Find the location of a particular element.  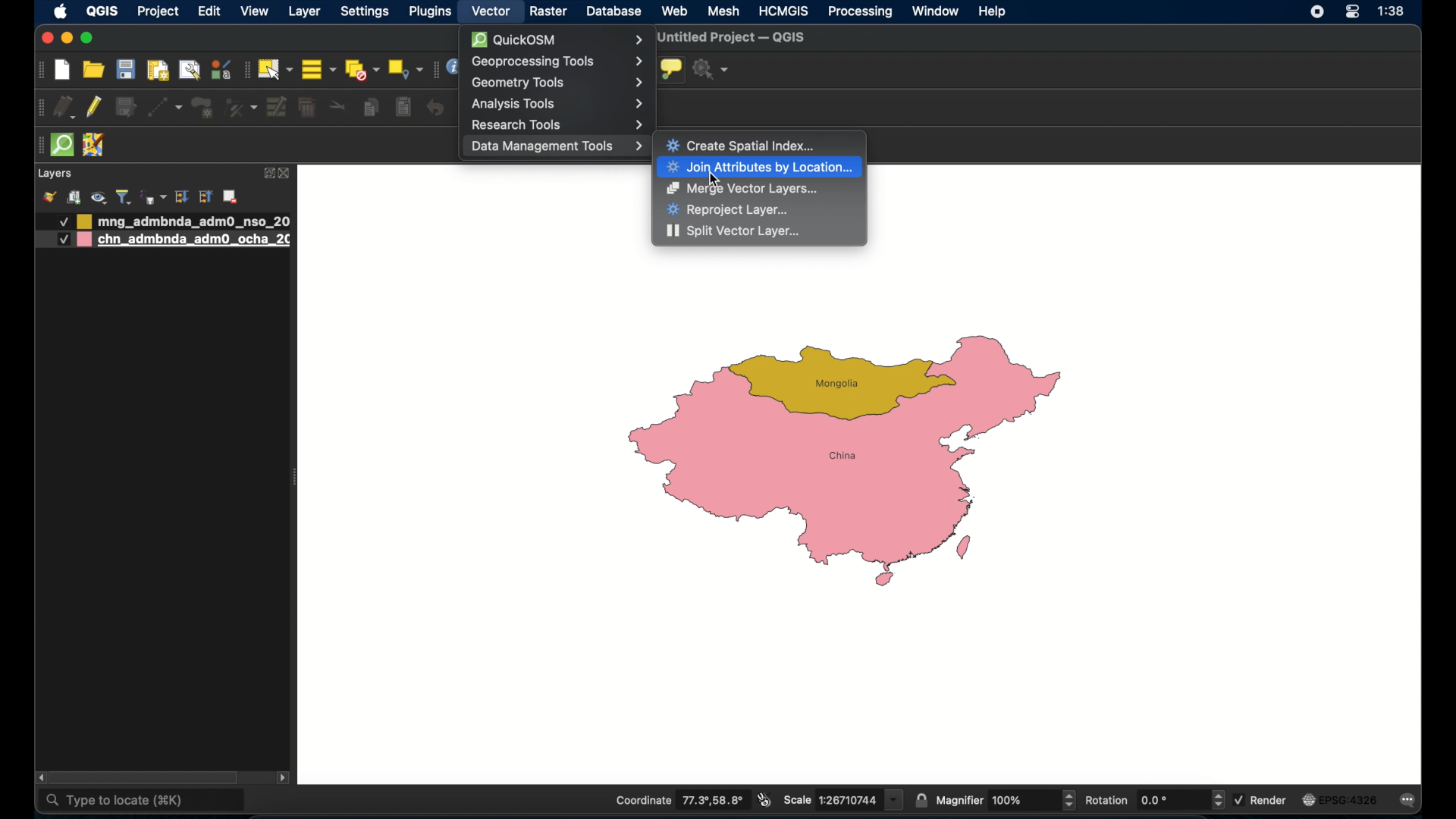

digitizing toolbar is located at coordinates (41, 108).